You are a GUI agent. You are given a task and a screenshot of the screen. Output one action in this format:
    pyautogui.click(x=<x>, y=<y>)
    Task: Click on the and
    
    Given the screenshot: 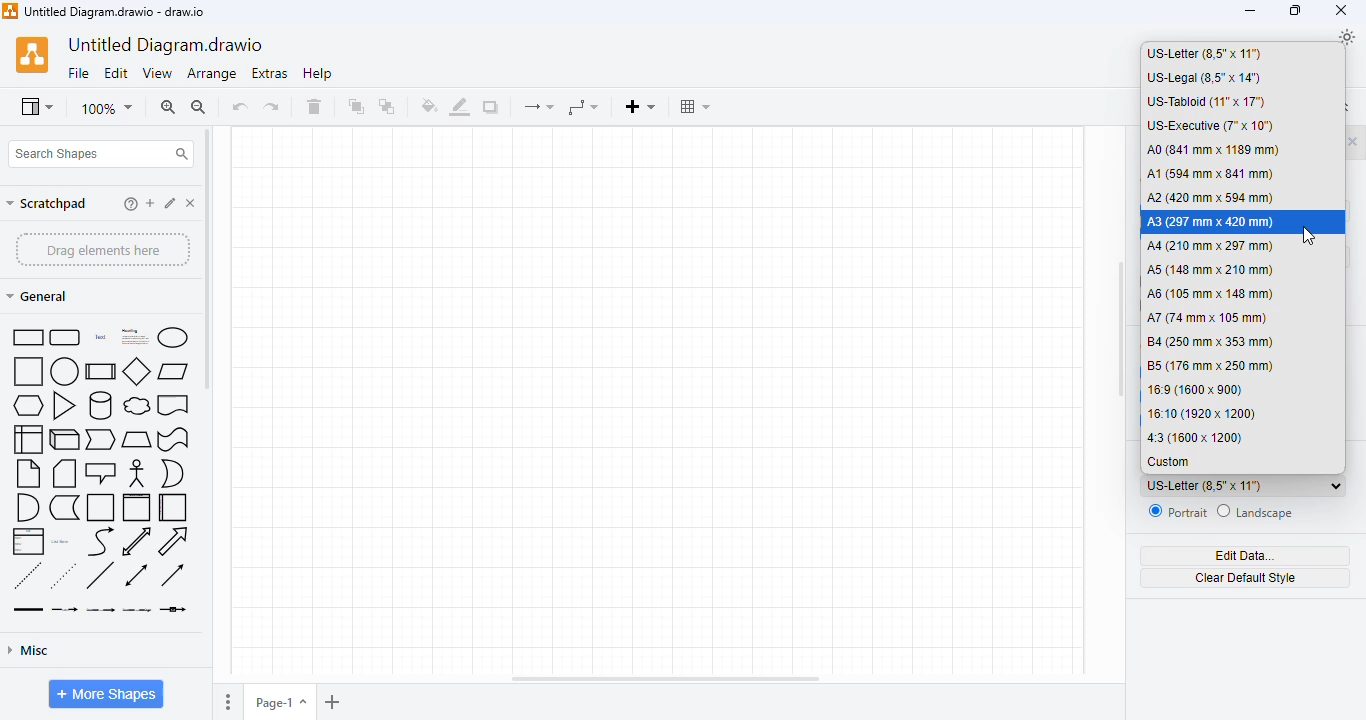 What is the action you would take?
    pyautogui.click(x=28, y=507)
    